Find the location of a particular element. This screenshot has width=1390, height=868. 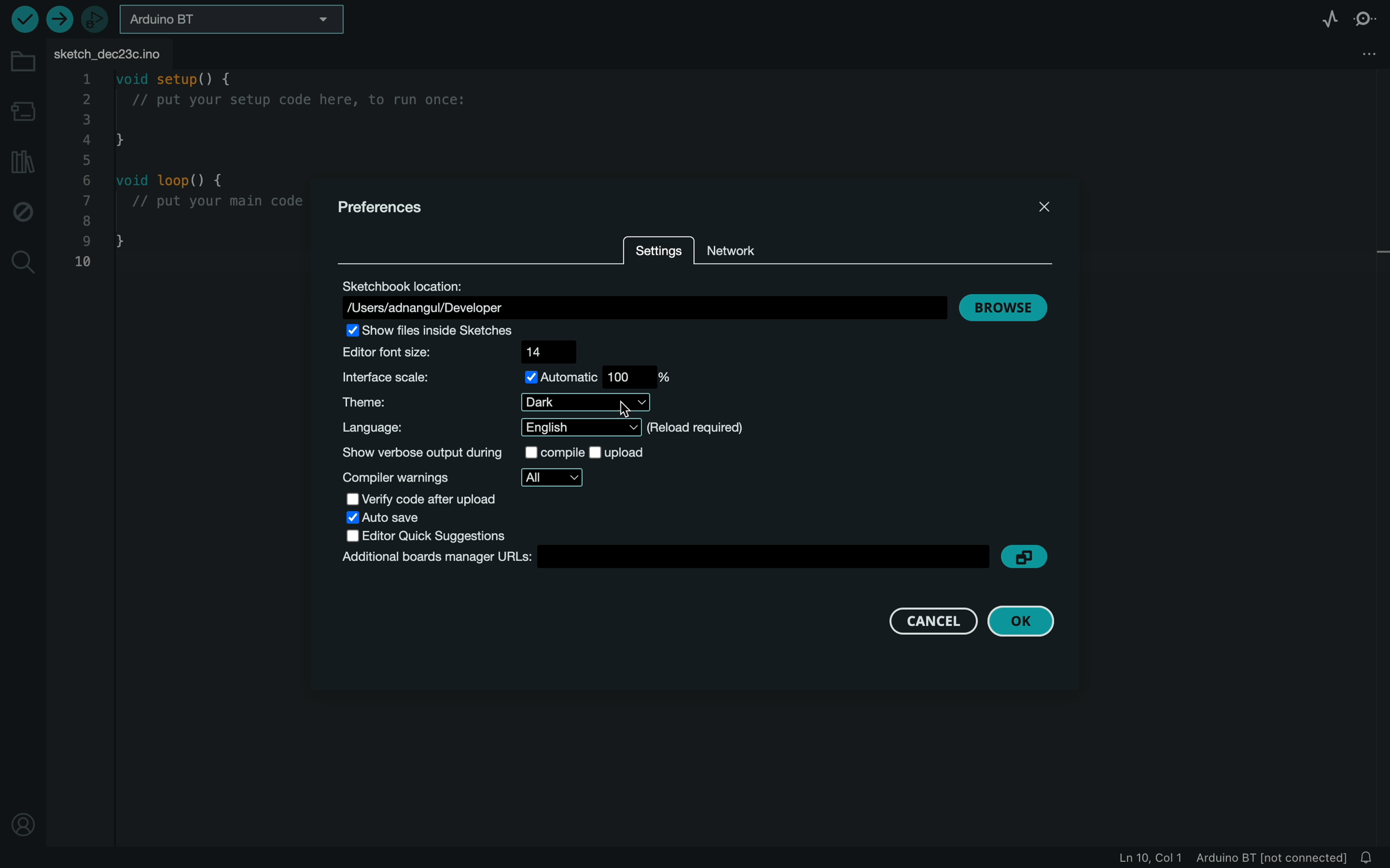

browse is located at coordinates (1010, 308).